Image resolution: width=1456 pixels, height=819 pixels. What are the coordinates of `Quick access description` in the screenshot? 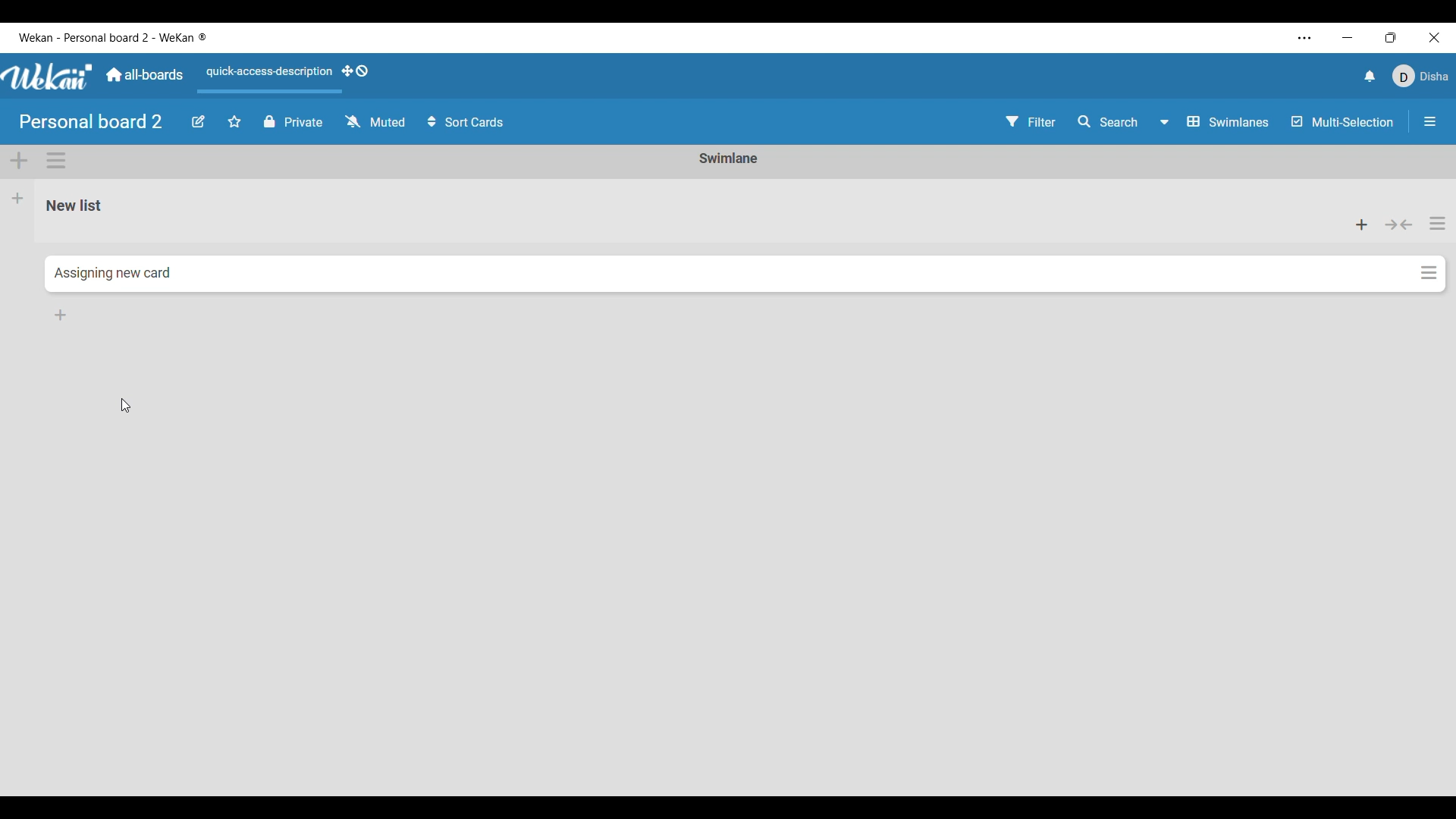 It's located at (266, 78).